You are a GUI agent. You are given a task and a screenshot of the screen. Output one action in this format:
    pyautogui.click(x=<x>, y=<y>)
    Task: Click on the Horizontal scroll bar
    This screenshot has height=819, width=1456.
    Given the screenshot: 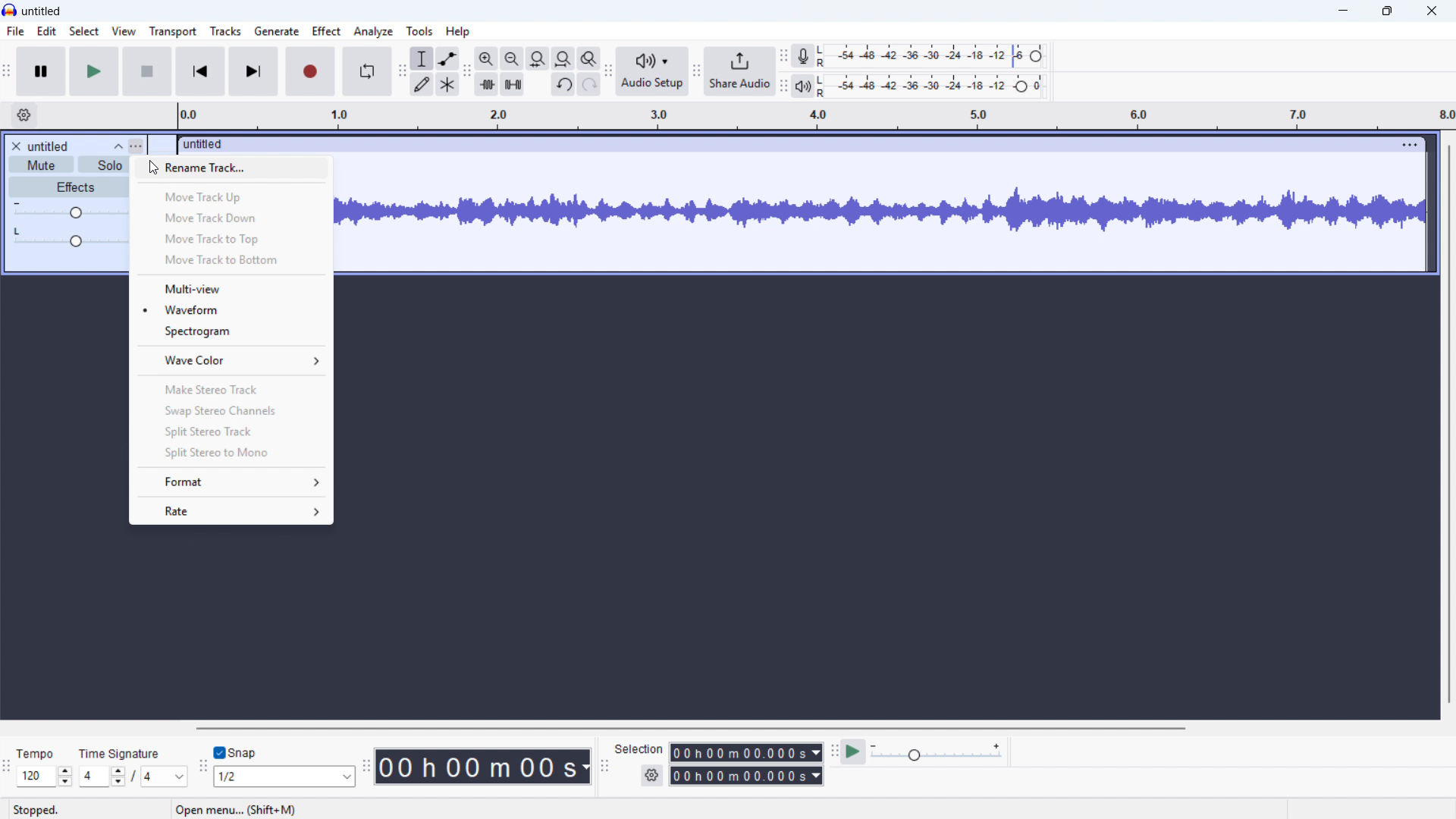 What is the action you would take?
    pyautogui.click(x=809, y=729)
    